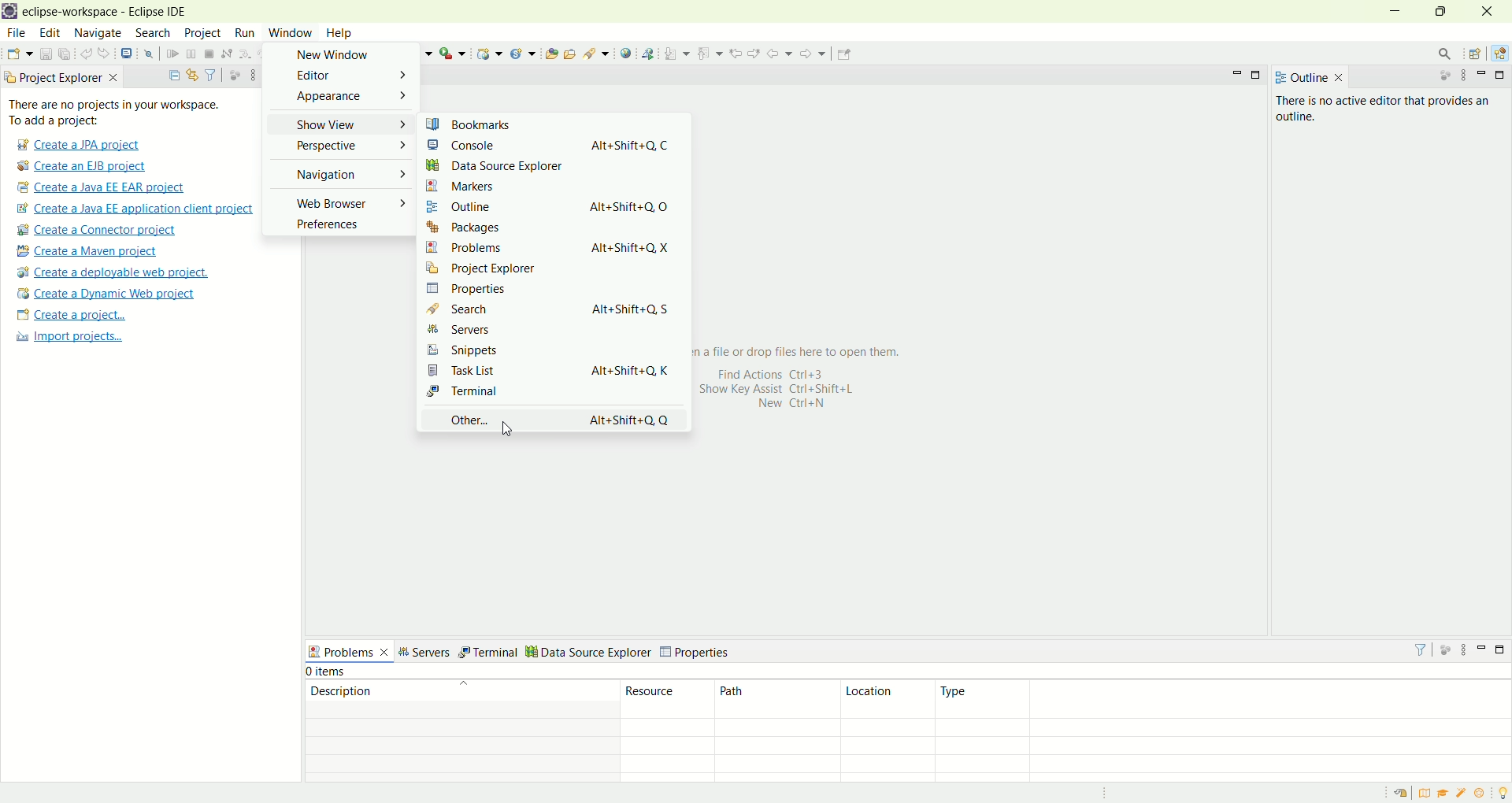 The image size is (1512, 803). I want to click on undo, so click(85, 52).